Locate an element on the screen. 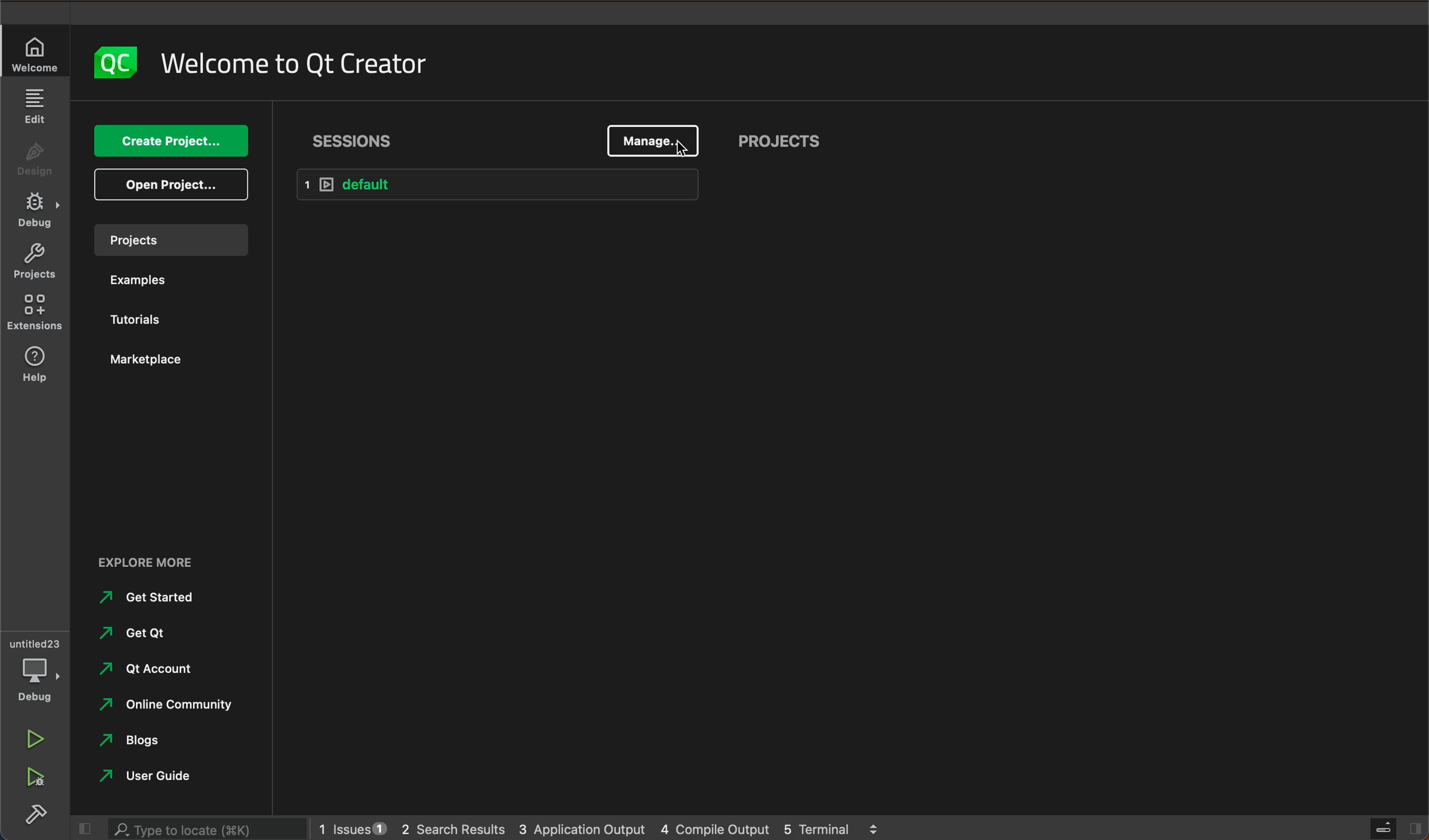 The image size is (1429, 840). Extensions is located at coordinates (36, 313).